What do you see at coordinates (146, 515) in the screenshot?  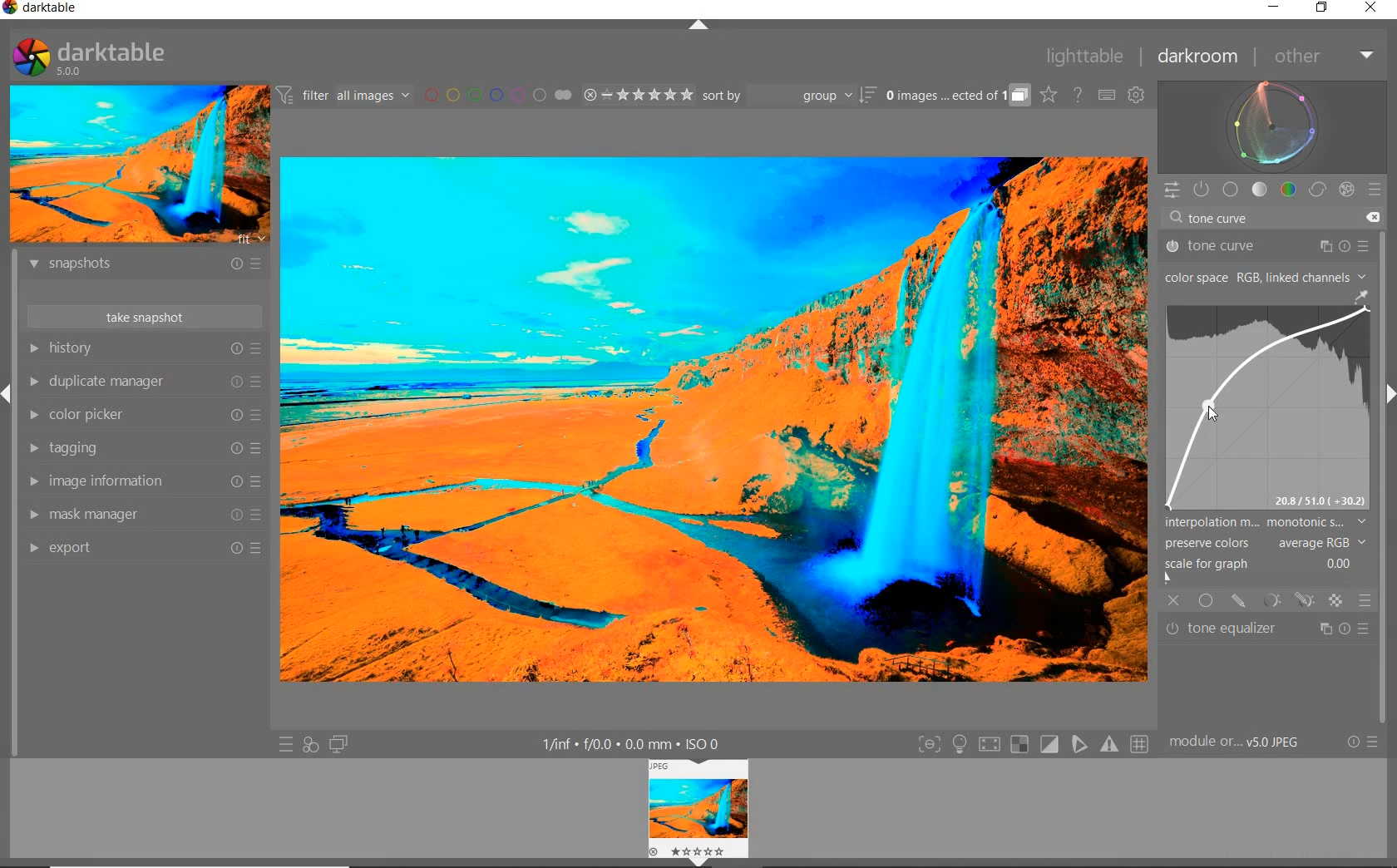 I see `mask manager` at bounding box center [146, 515].